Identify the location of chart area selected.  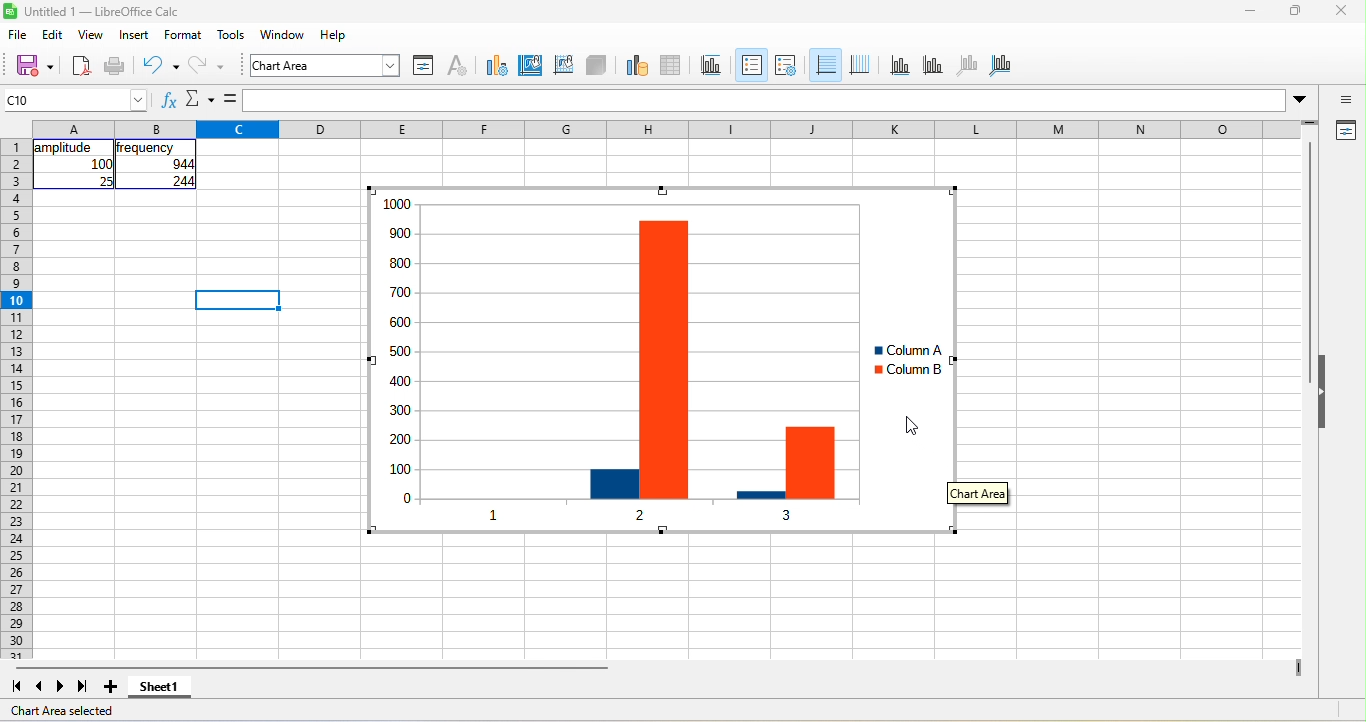
(62, 711).